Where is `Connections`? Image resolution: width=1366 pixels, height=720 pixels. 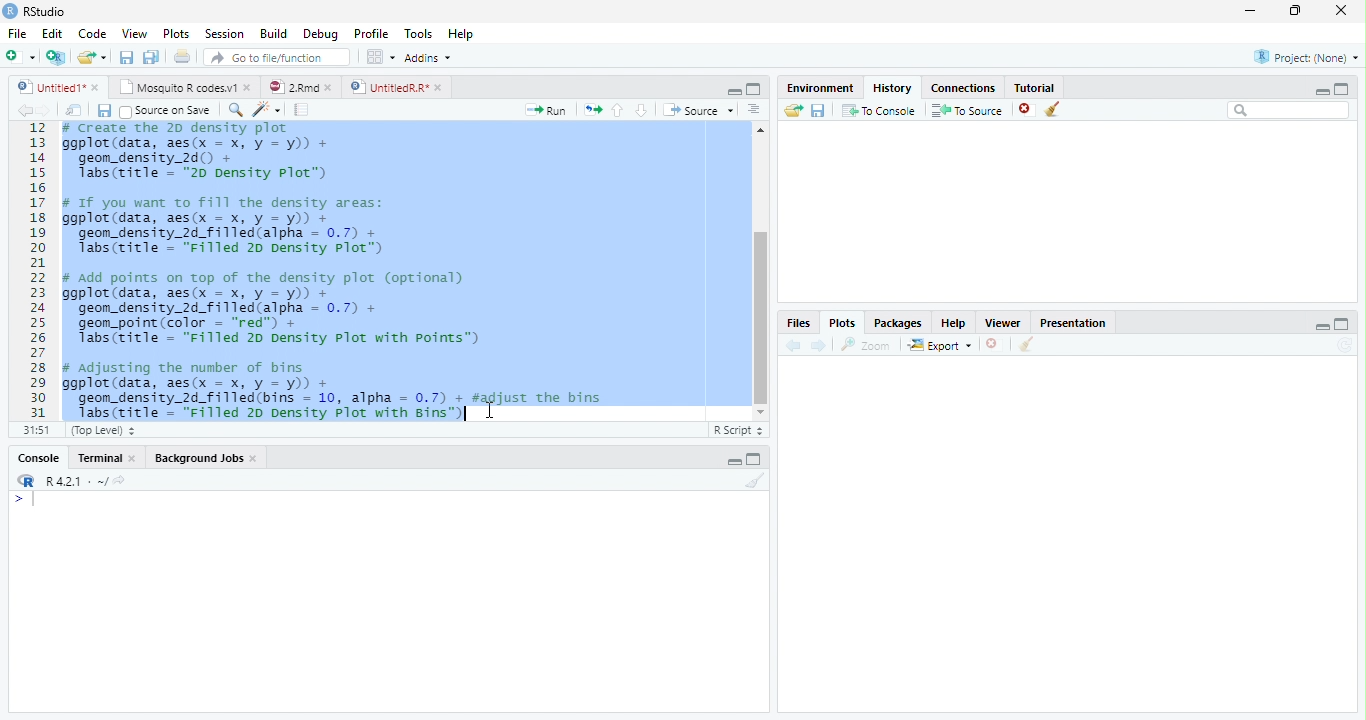
Connections is located at coordinates (964, 89).